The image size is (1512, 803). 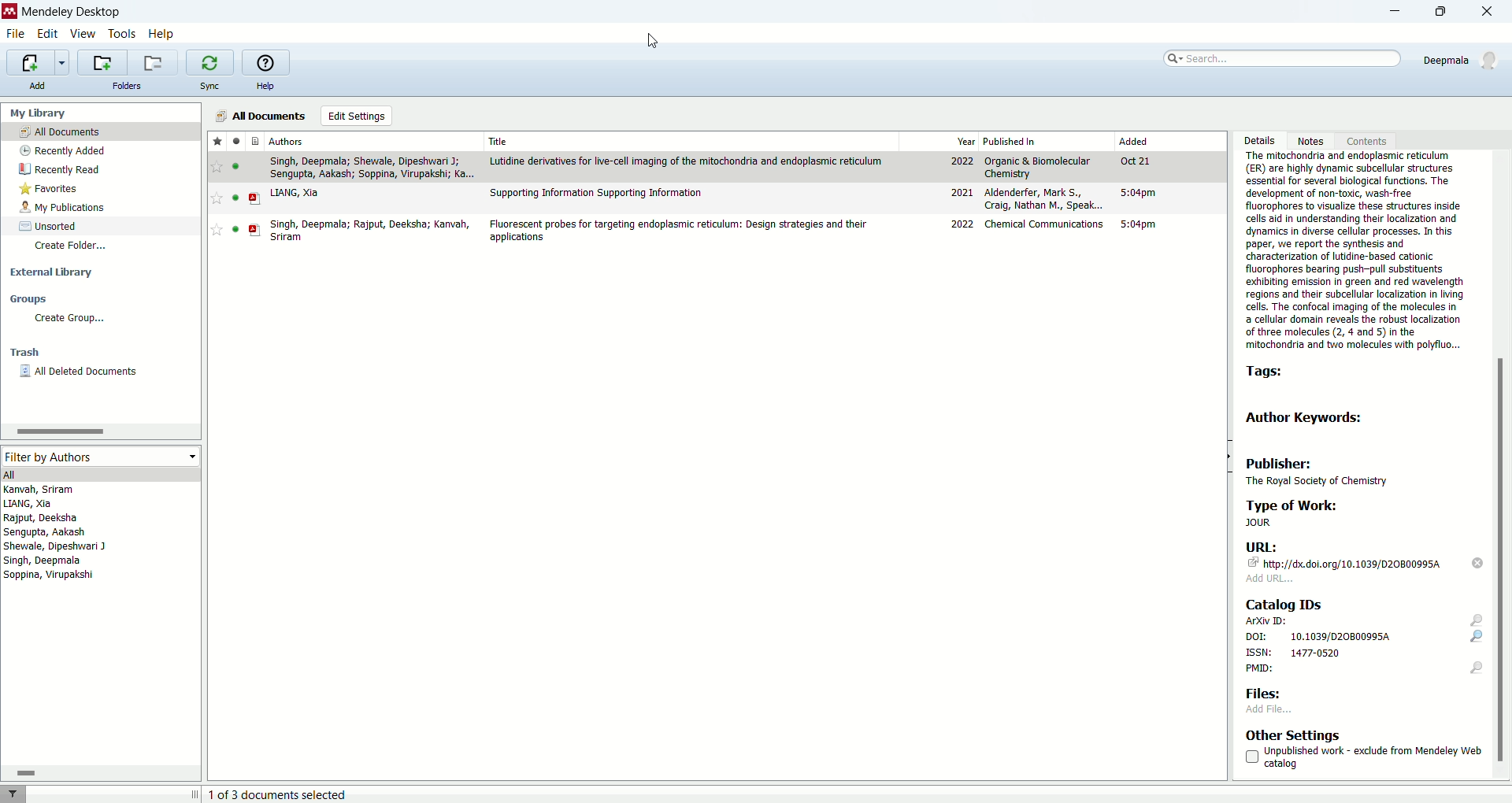 What do you see at coordinates (235, 198) in the screenshot?
I see `unread` at bounding box center [235, 198].